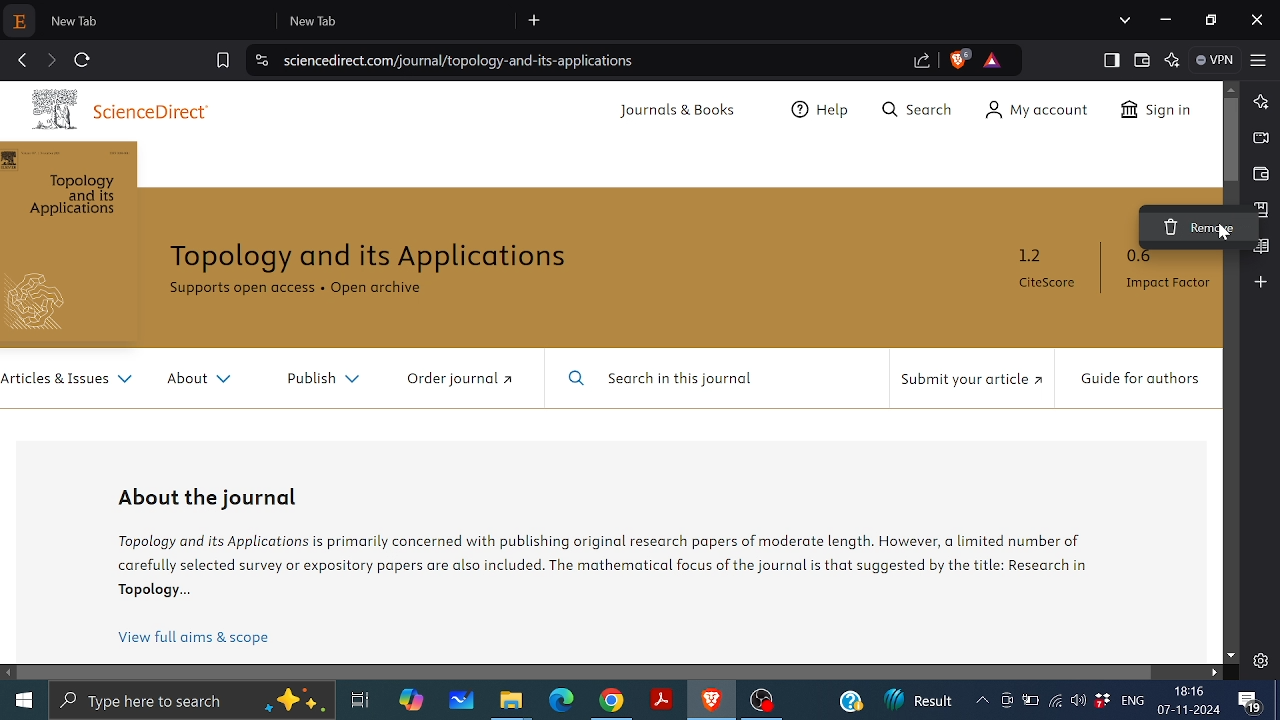 The width and height of the screenshot is (1280, 720). I want to click on About the Journal, so click(213, 496).